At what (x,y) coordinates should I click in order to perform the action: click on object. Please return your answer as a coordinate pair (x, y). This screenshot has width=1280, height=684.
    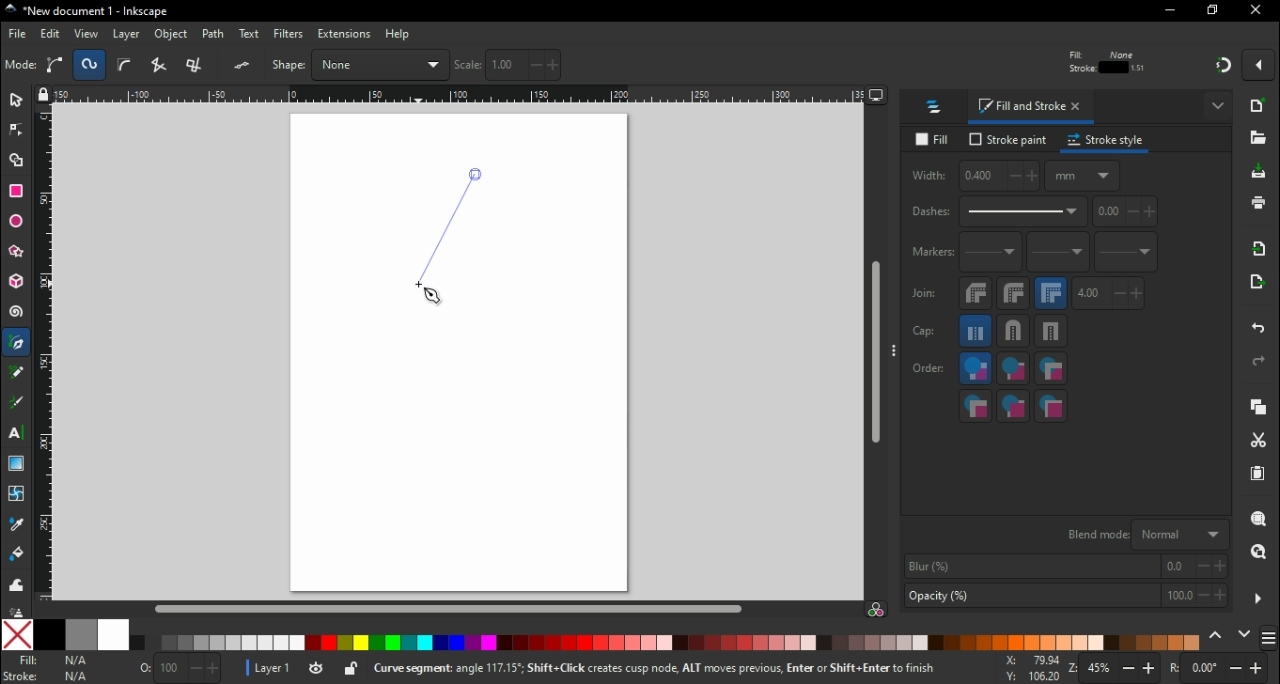
    Looking at the image, I should click on (172, 35).